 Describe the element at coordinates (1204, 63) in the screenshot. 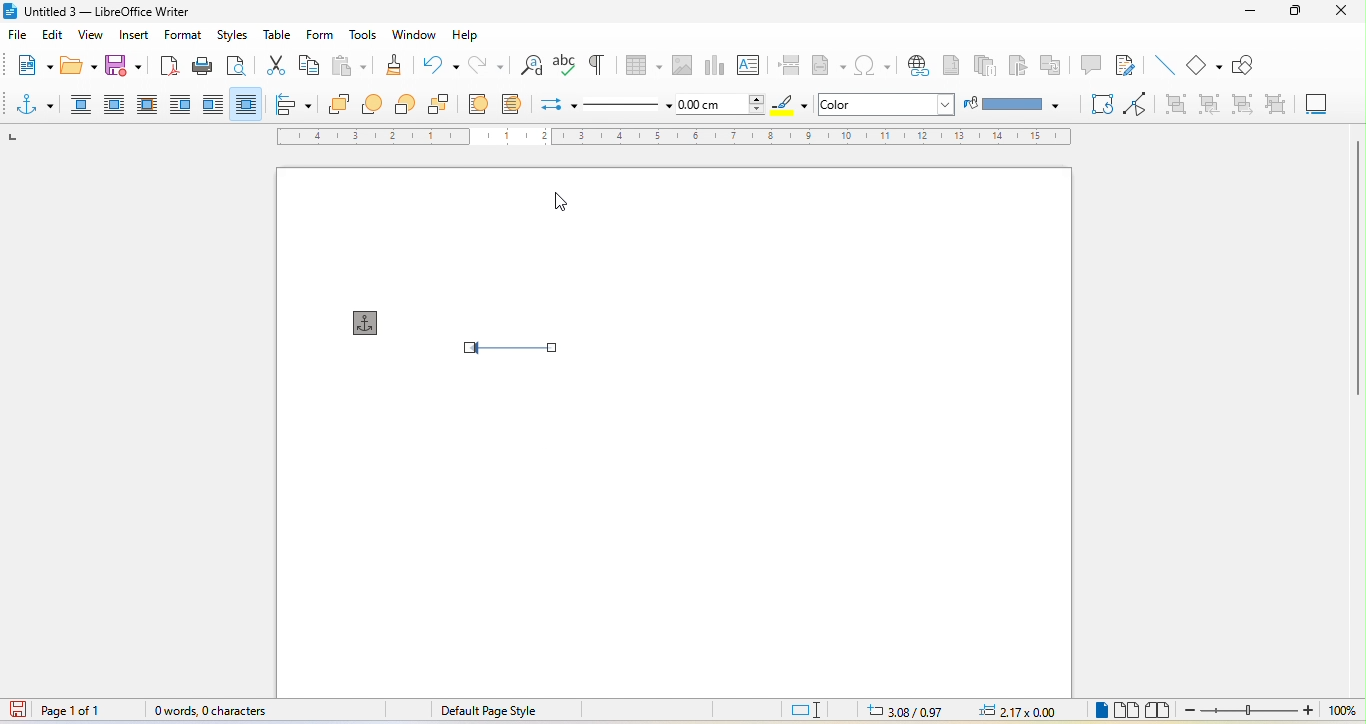

I see `basic shape` at that location.